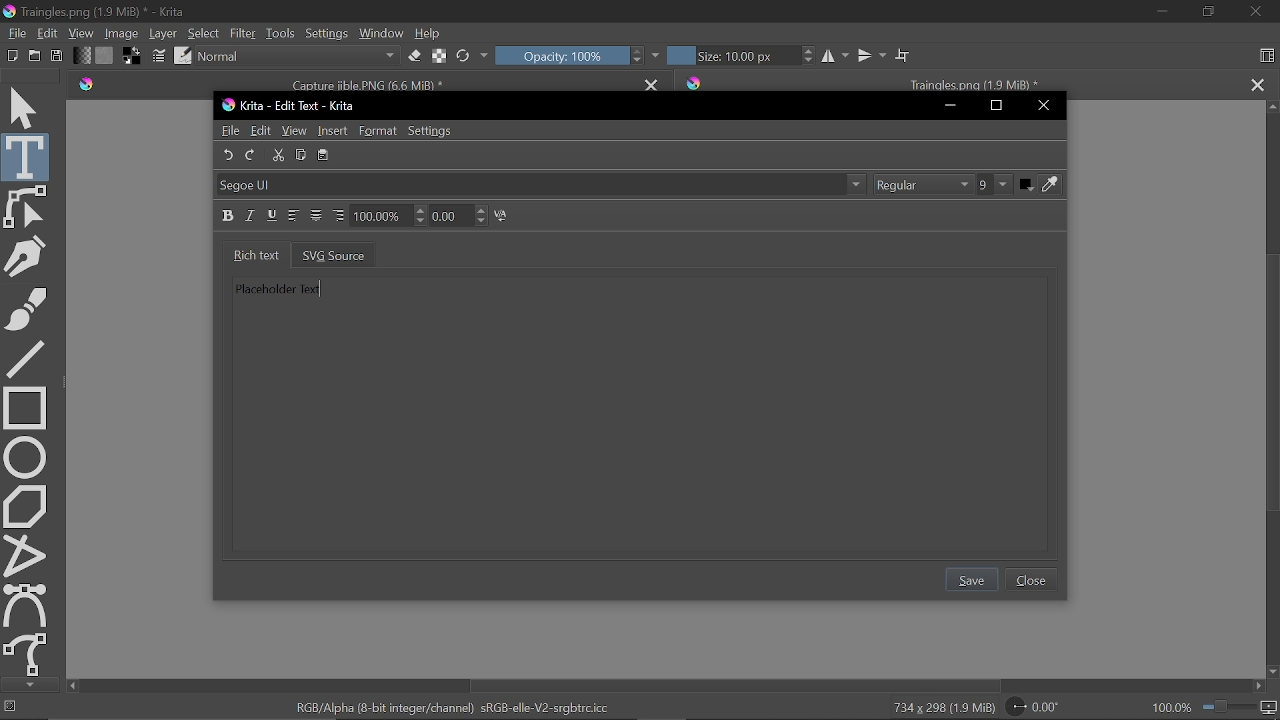 The width and height of the screenshot is (1280, 720). What do you see at coordinates (28, 506) in the screenshot?
I see `Polygon tool` at bounding box center [28, 506].